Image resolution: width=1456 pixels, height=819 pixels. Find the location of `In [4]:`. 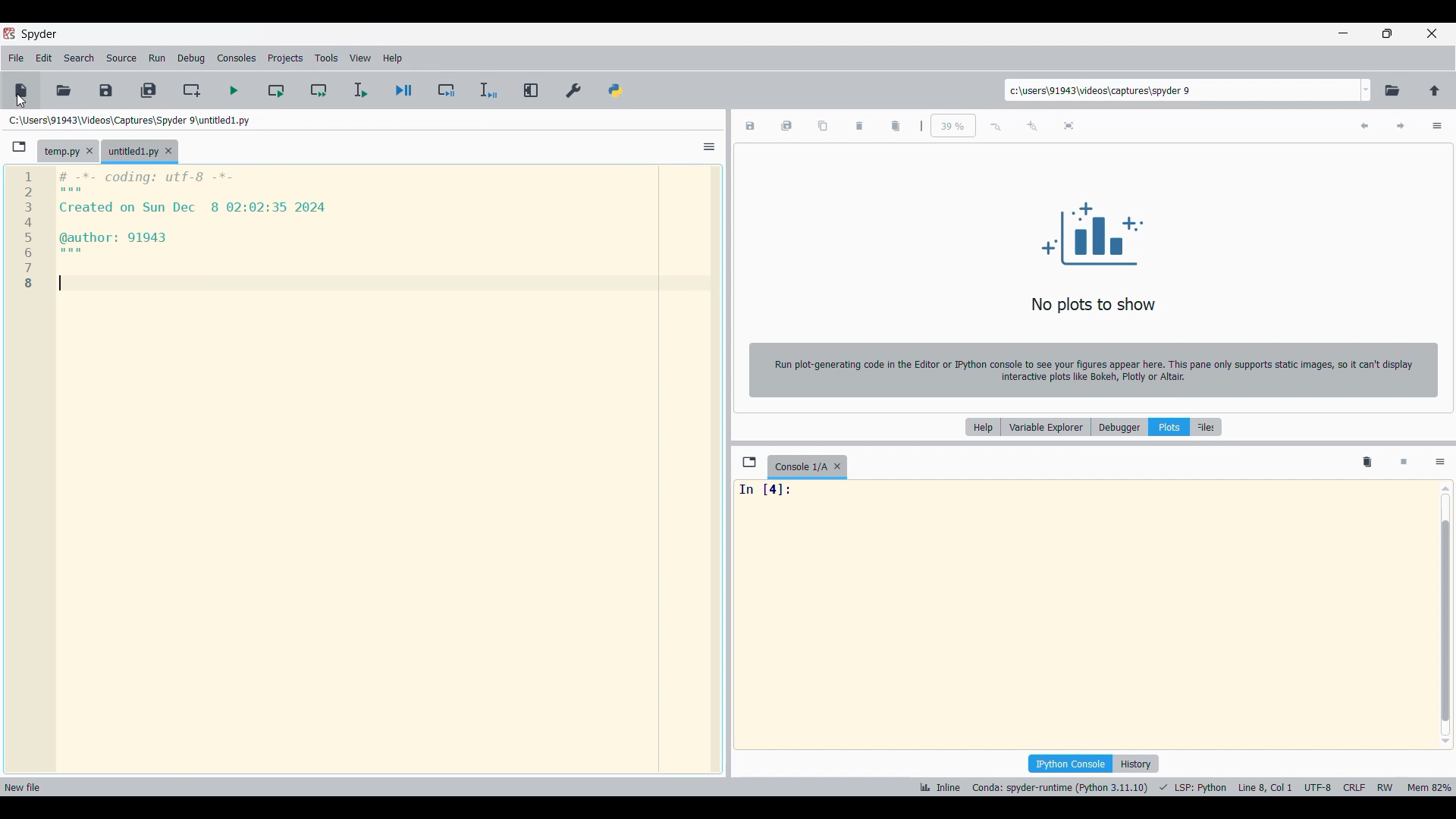

In [4]: is located at coordinates (1081, 494).